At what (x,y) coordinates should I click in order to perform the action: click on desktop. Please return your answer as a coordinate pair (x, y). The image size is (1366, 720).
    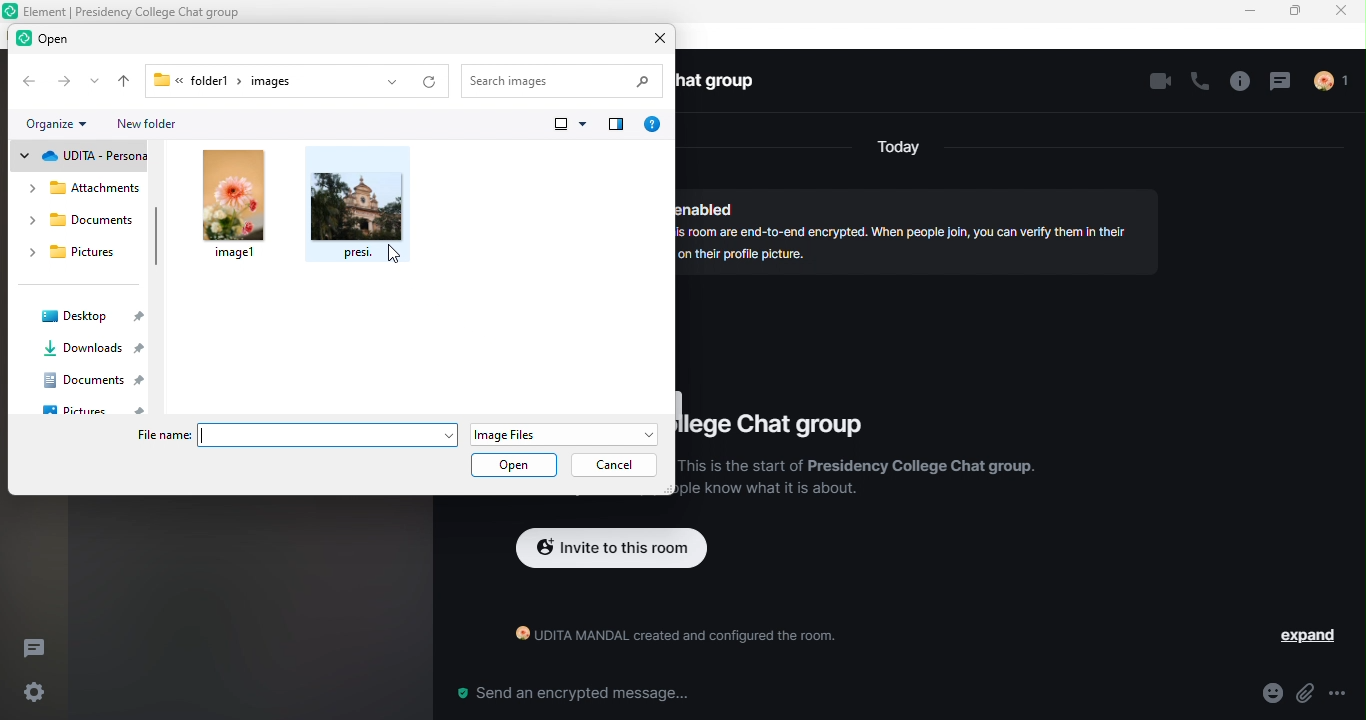
    Looking at the image, I should click on (86, 318).